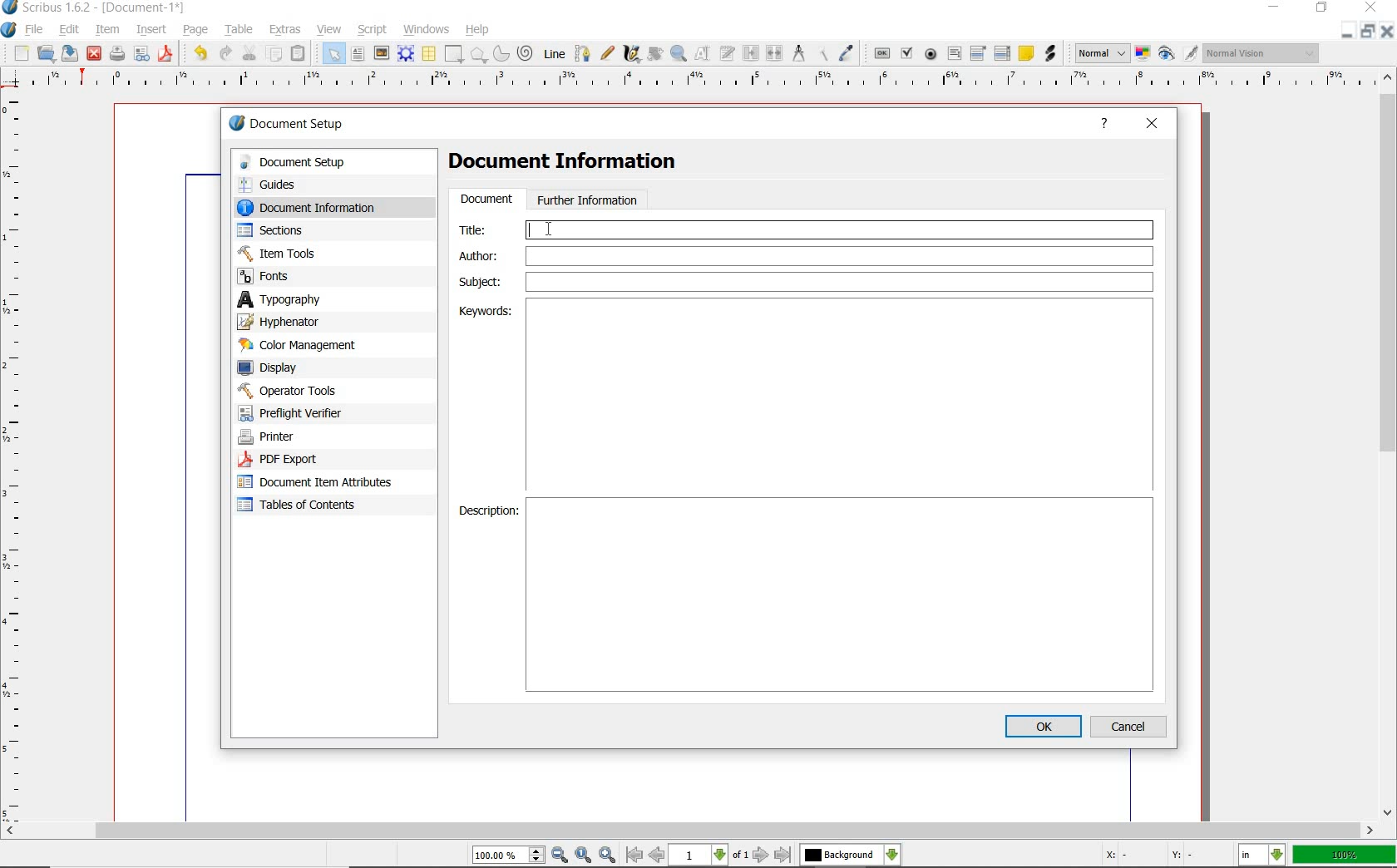  I want to click on preflight verifier, so click(141, 55).